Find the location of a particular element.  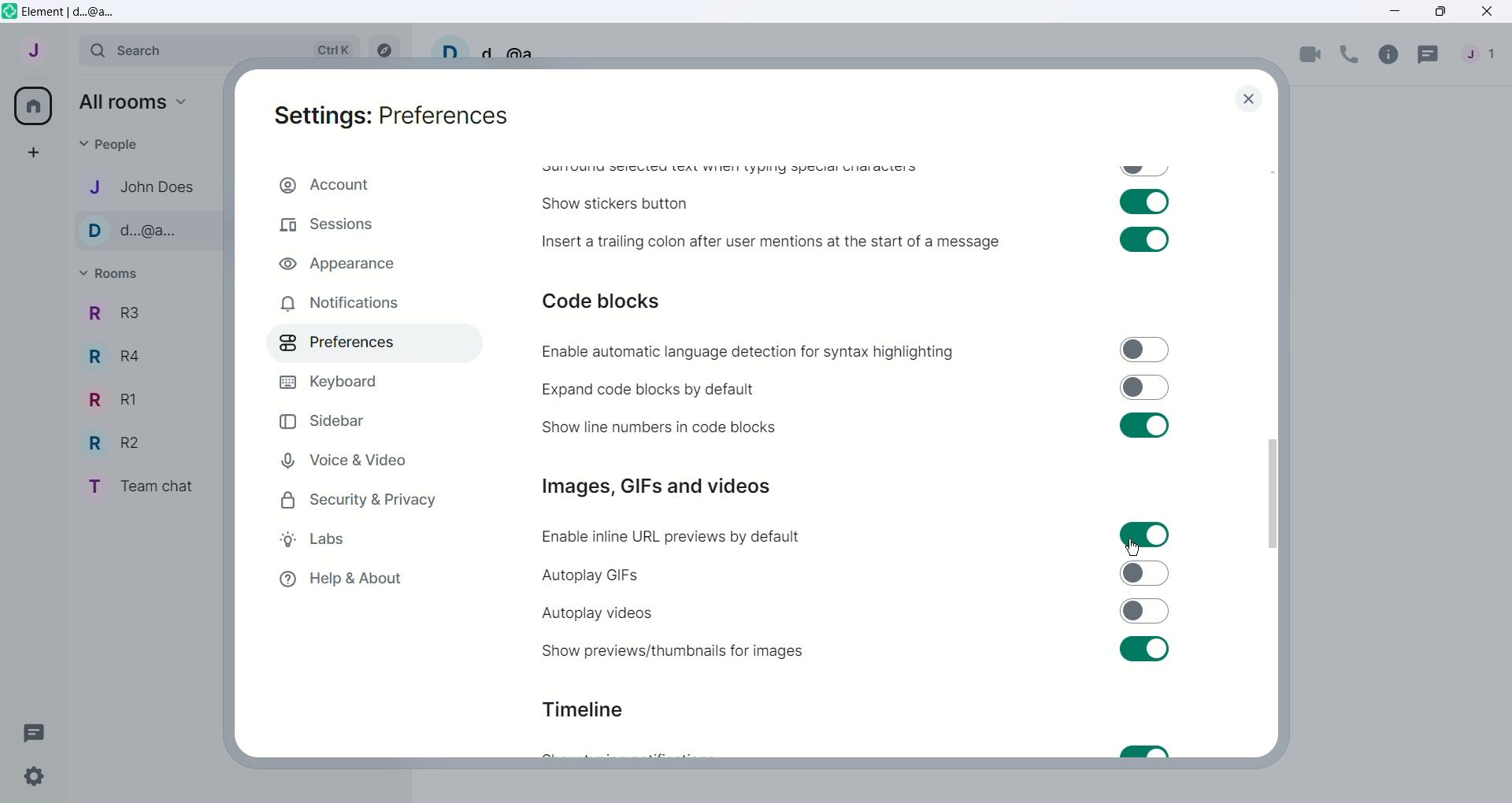

User profile picture and settings is located at coordinates (450, 46).